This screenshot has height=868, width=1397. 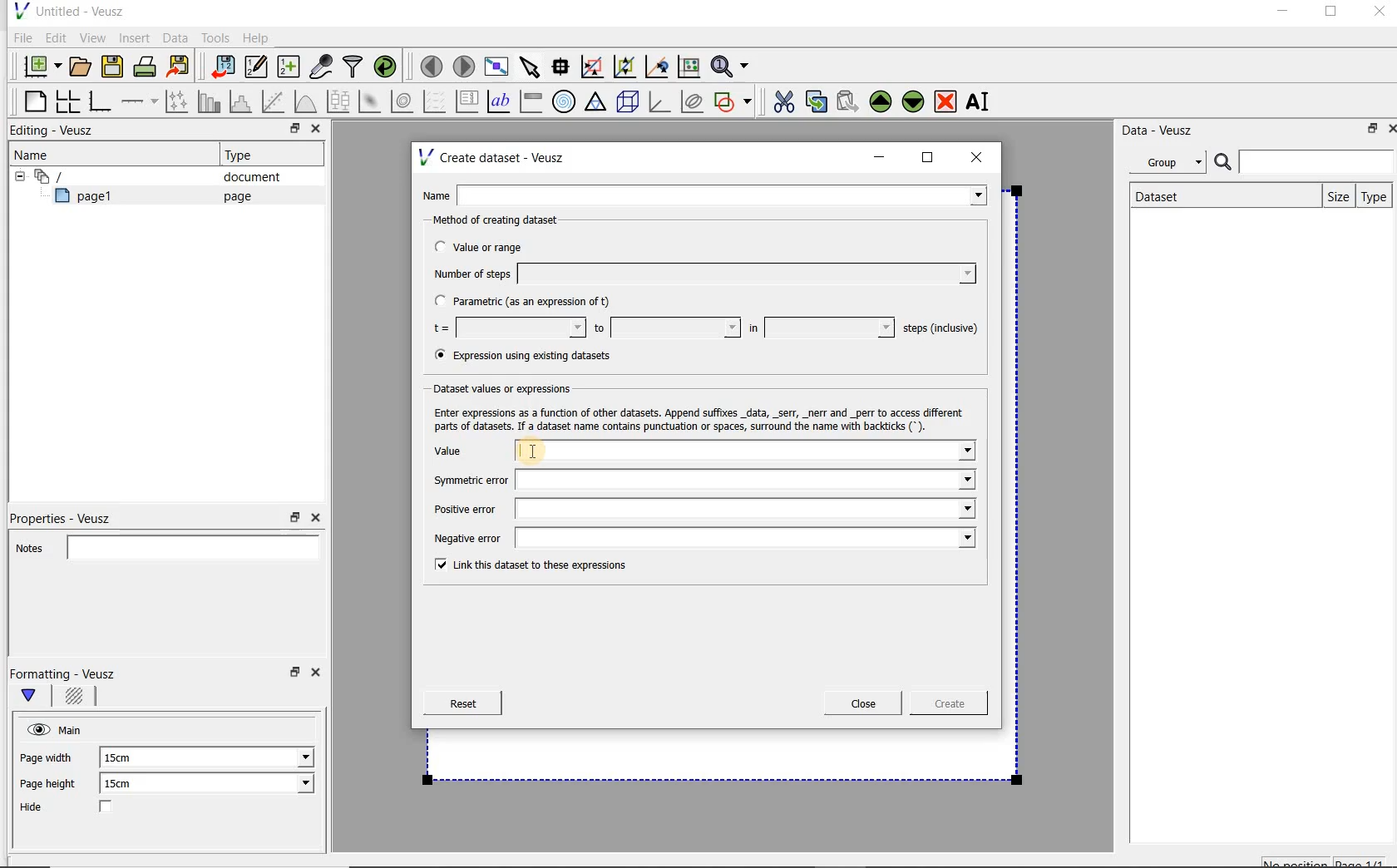 I want to click on rename the selected widget, so click(x=981, y=101).